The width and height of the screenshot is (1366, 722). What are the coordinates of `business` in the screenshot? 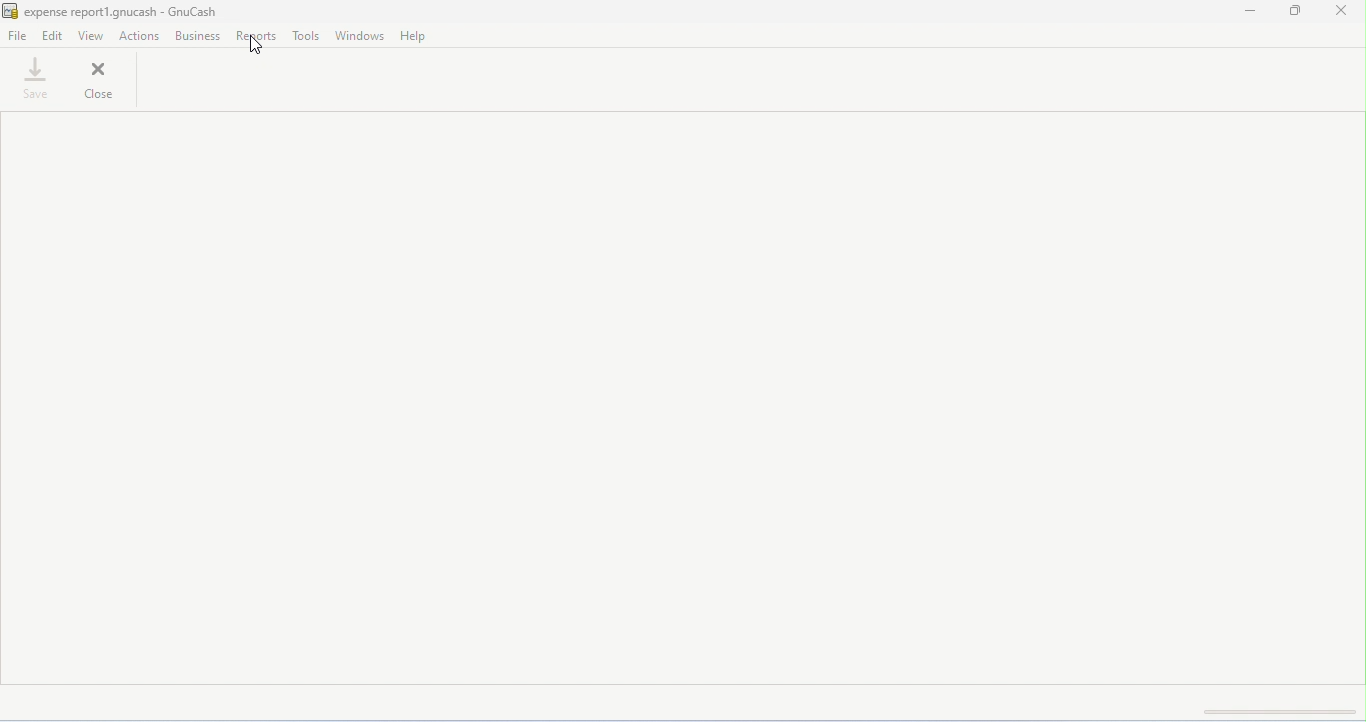 It's located at (197, 35).